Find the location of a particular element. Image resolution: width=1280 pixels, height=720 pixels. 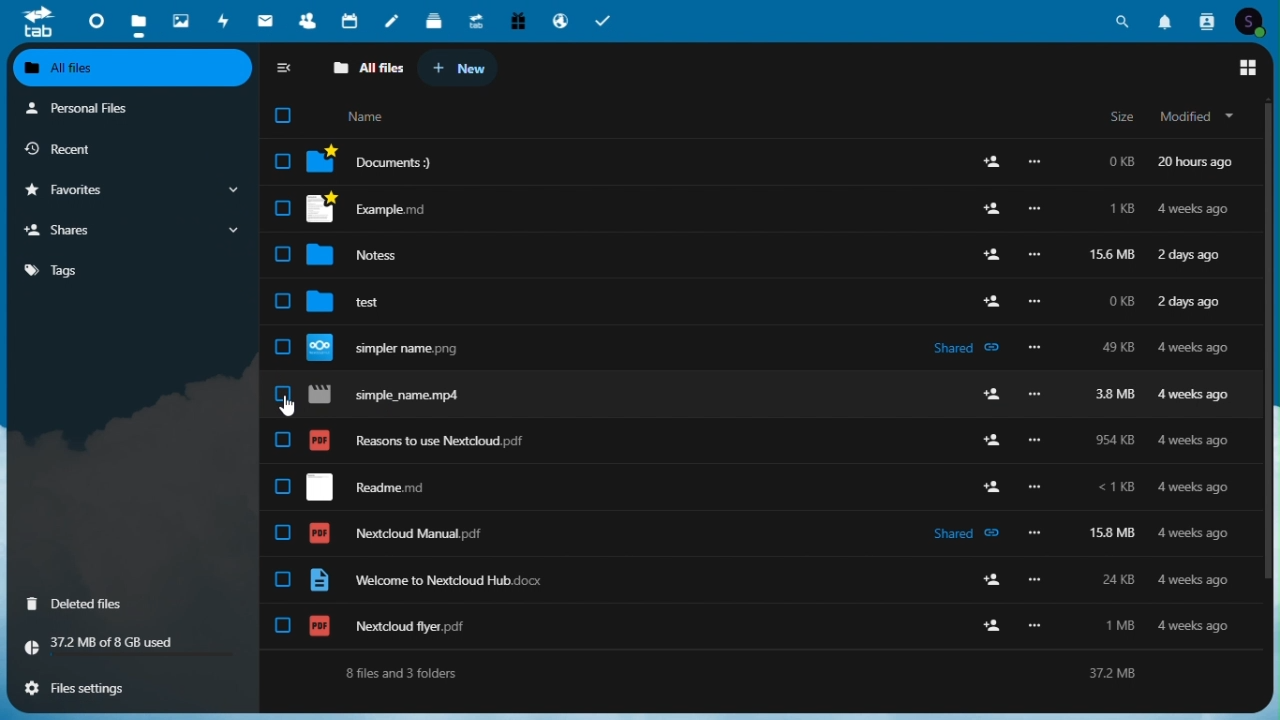

tasks is located at coordinates (607, 20).